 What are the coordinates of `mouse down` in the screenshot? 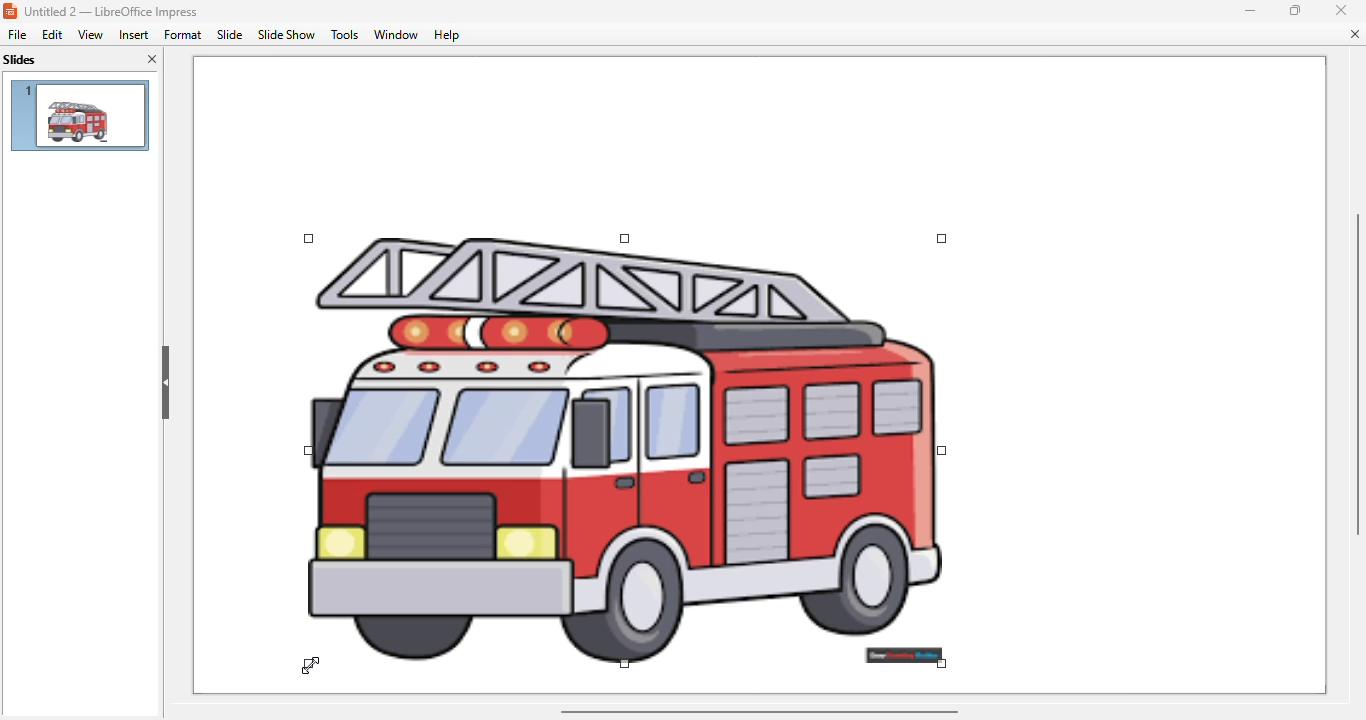 It's located at (313, 664).